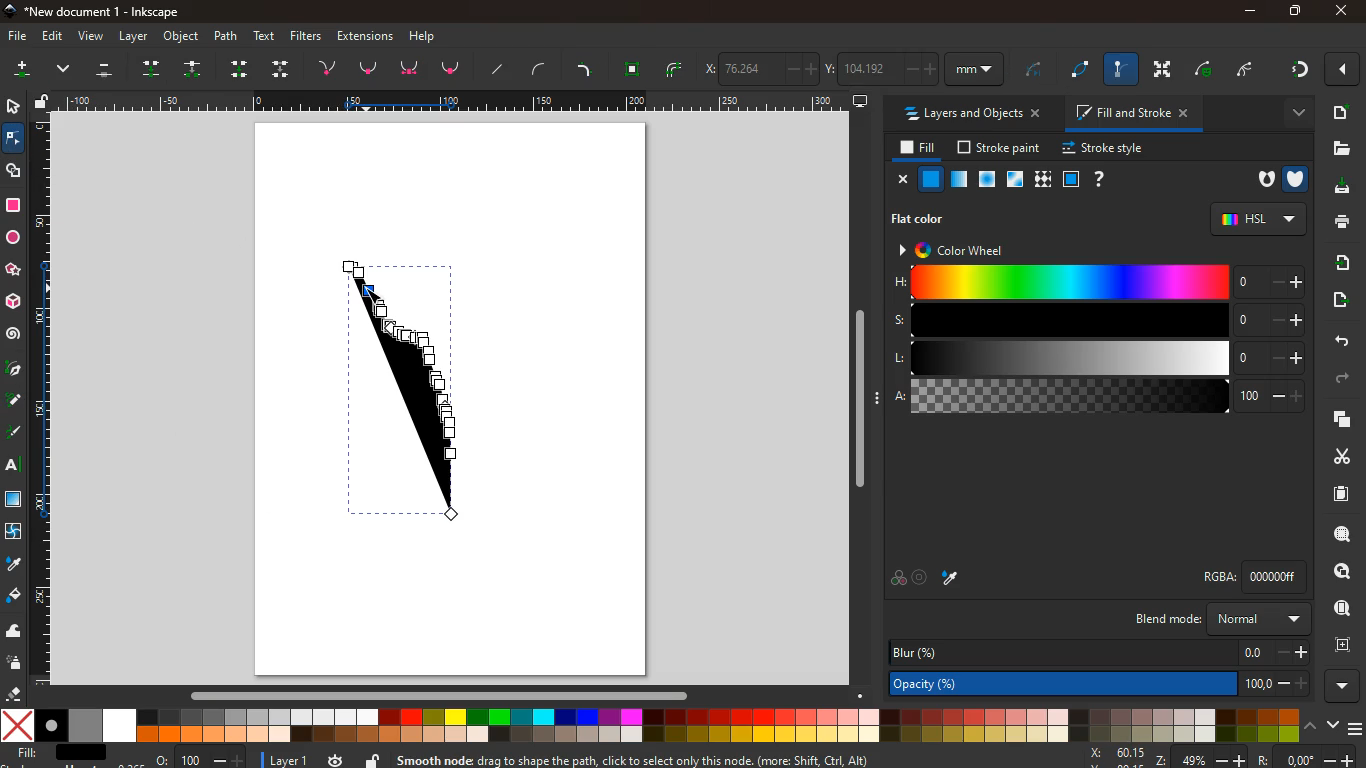  Describe the element at coordinates (1338, 148) in the screenshot. I see `files` at that location.